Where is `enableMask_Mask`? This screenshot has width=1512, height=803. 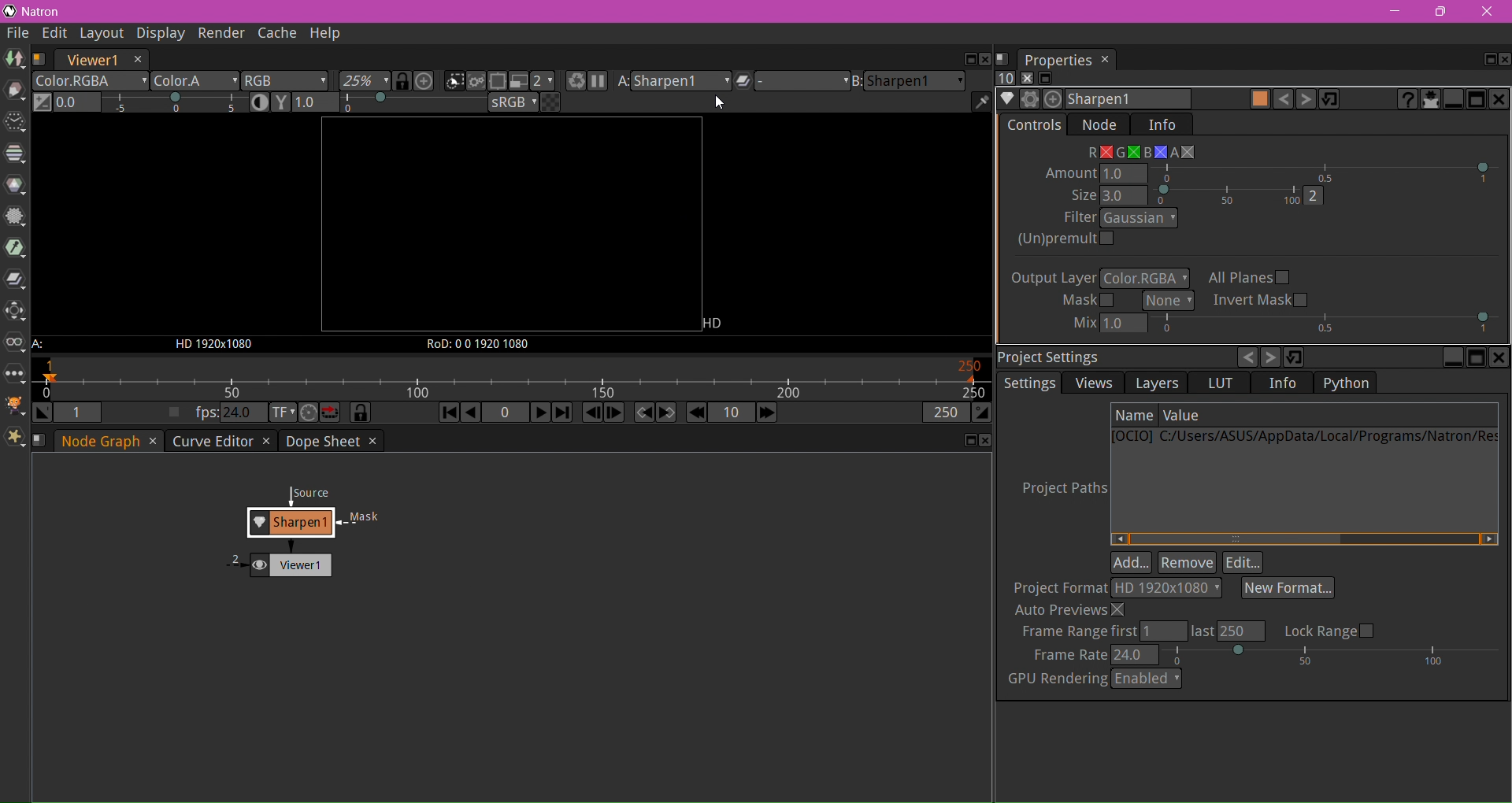 enableMask_Mask is located at coordinates (1086, 302).